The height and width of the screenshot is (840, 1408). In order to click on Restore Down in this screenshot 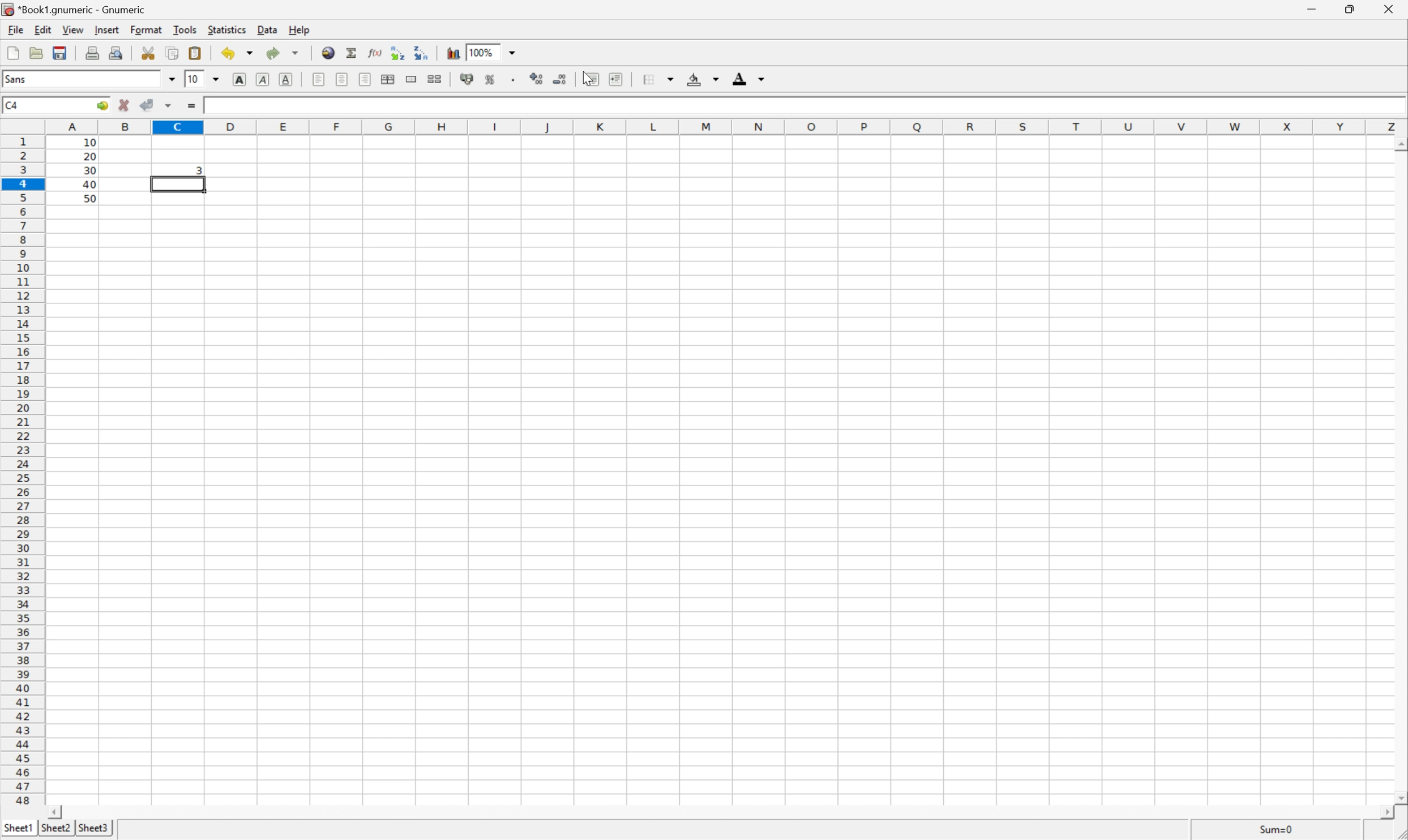, I will do `click(1346, 9)`.